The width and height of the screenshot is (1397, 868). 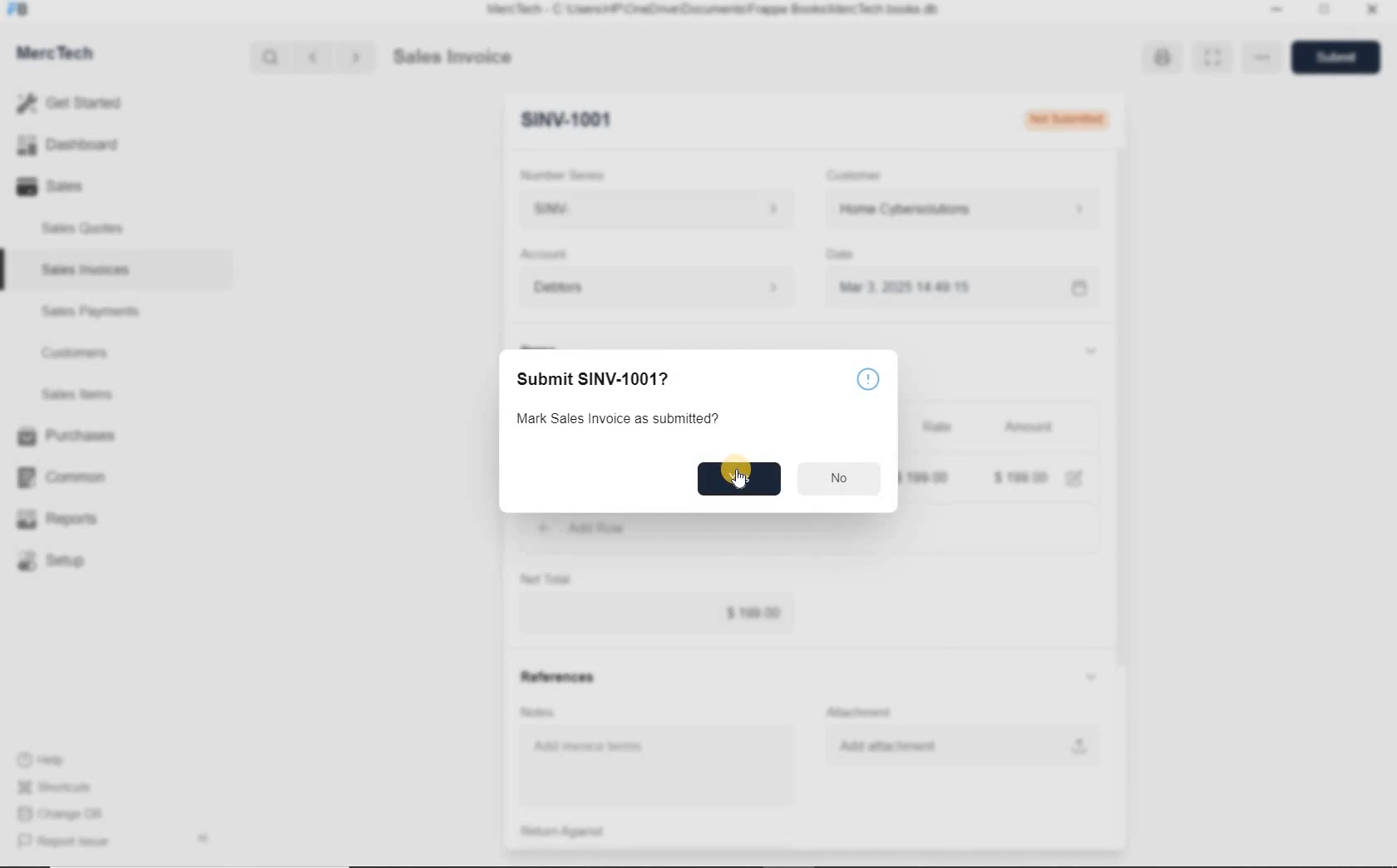 I want to click on mark sales invoice as summited?, so click(x=616, y=420).